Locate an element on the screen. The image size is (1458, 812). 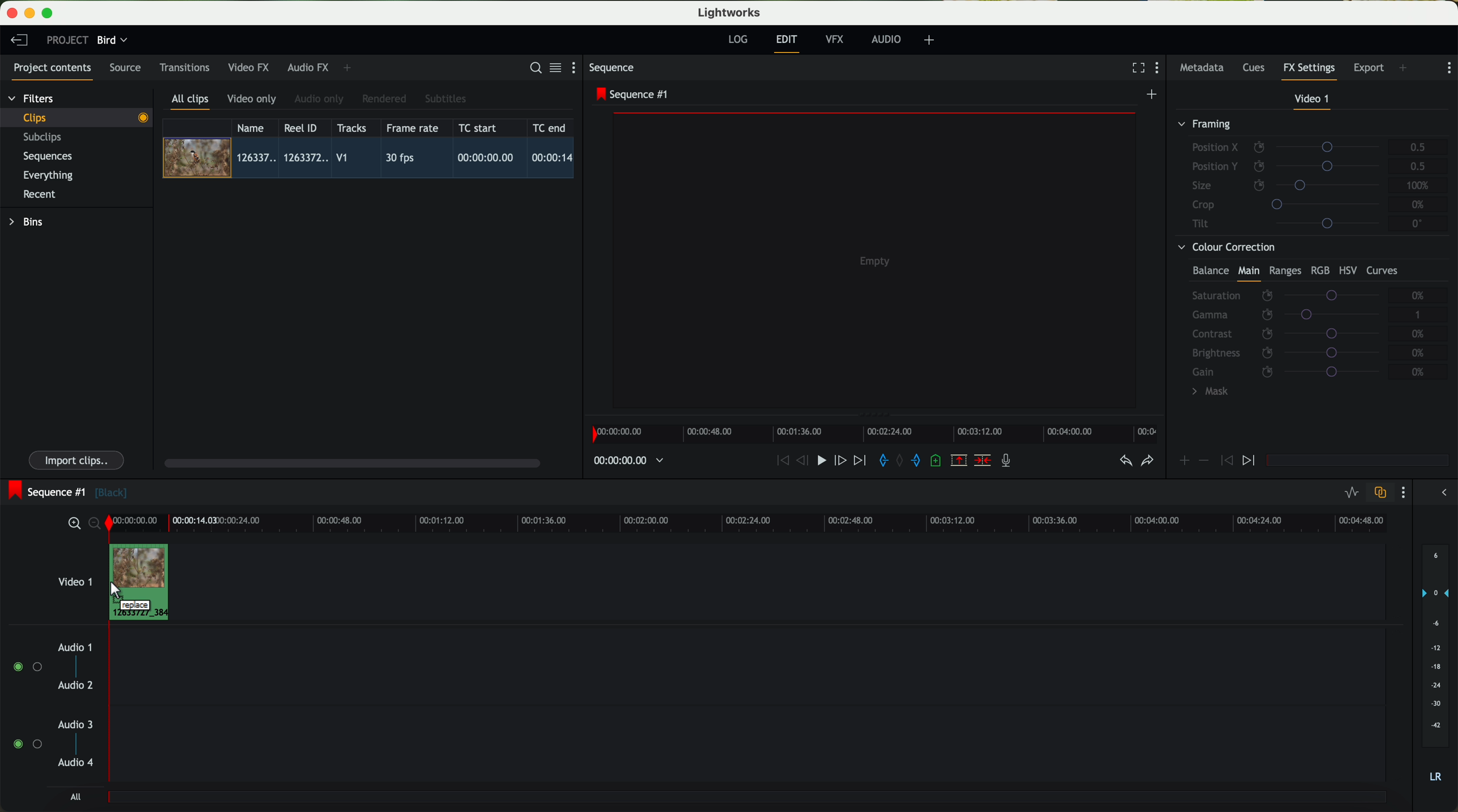
show/hide the full audio mix is located at coordinates (1440, 493).